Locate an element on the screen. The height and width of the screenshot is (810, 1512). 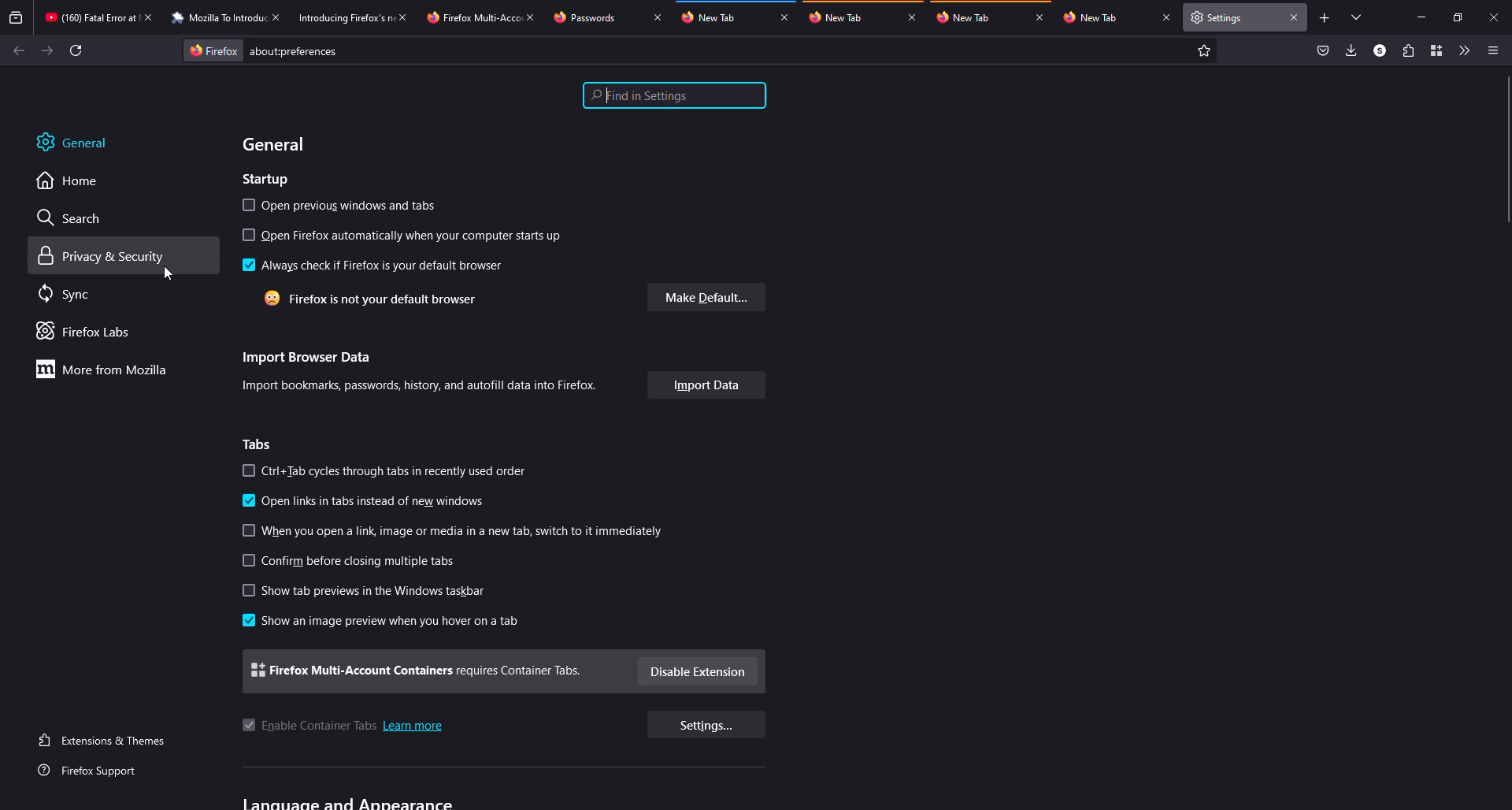
tab is located at coordinates (584, 17).